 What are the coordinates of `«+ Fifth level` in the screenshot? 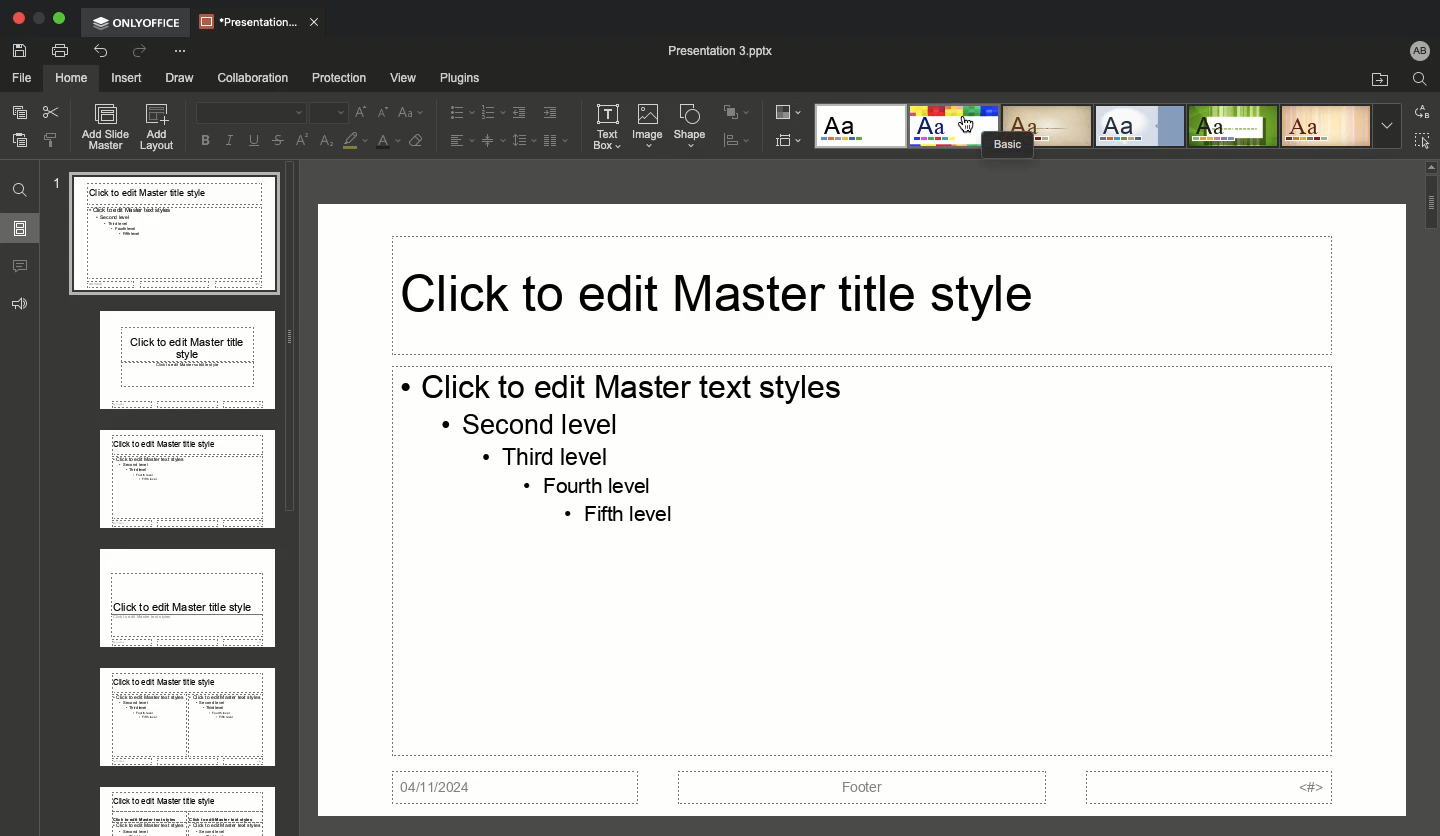 It's located at (626, 518).